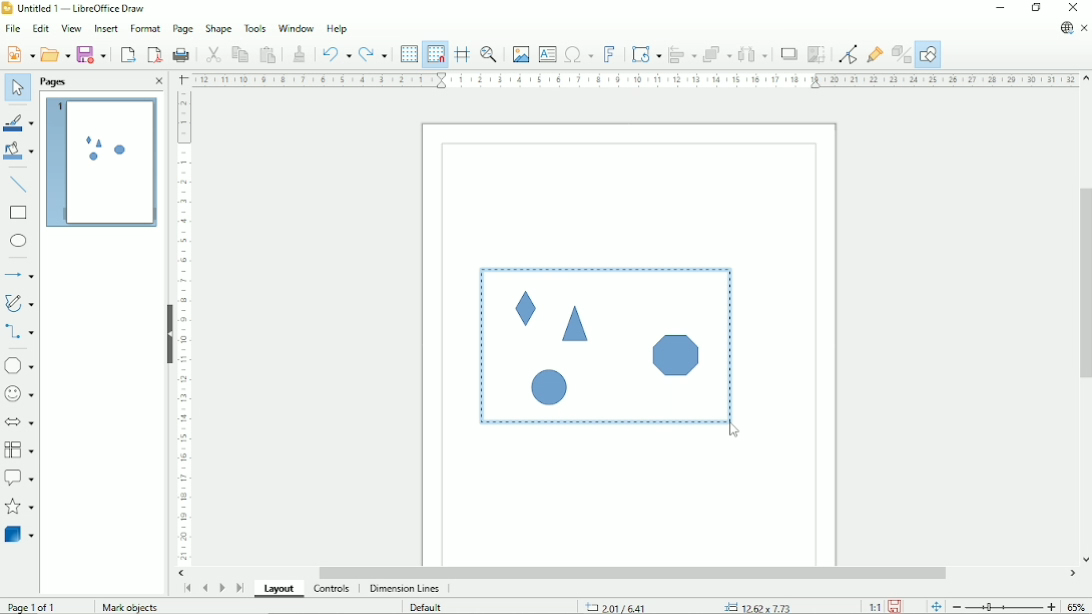 The image size is (1092, 614). I want to click on Helplines while moving, so click(462, 53).